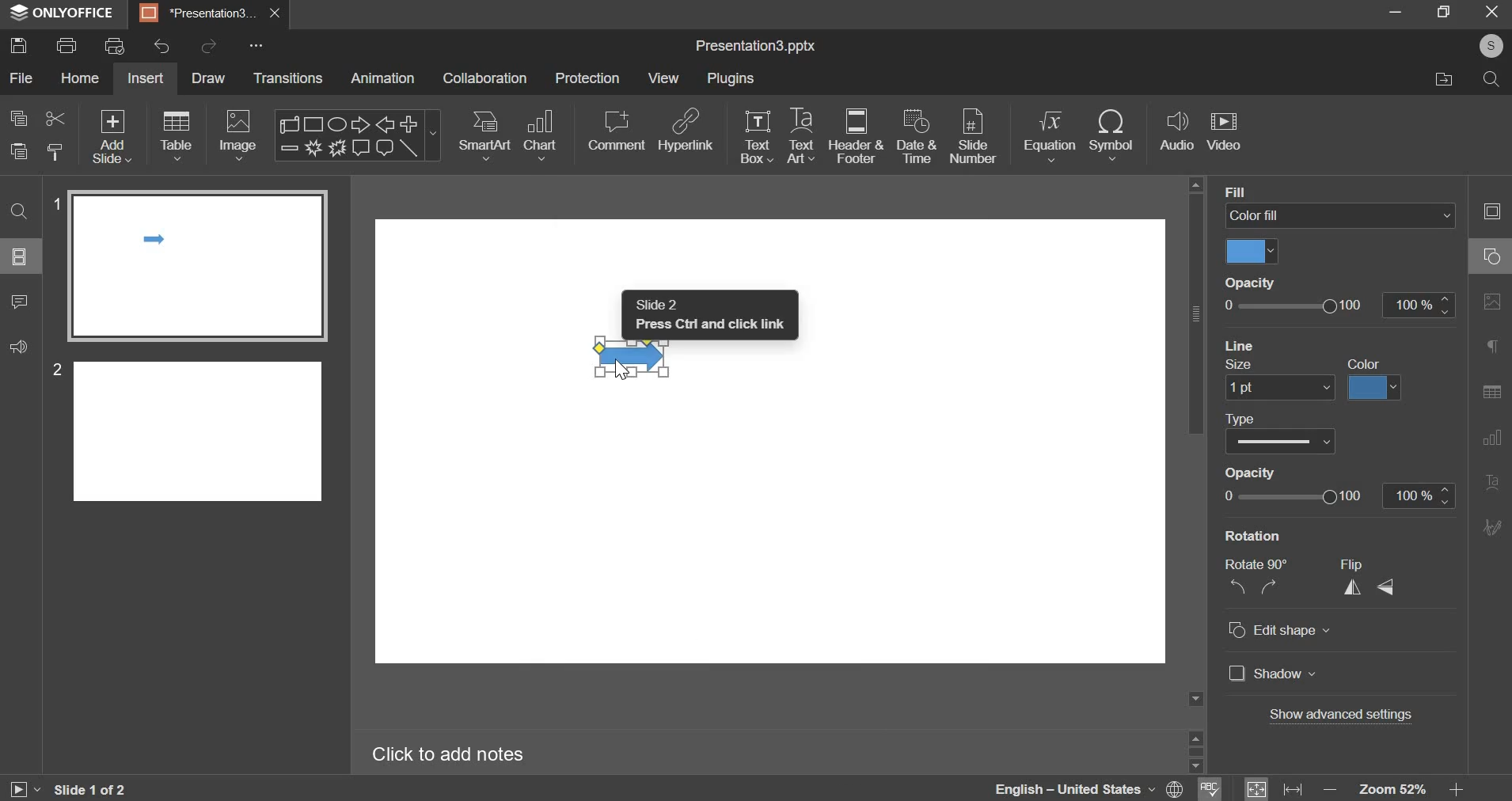 This screenshot has width=1512, height=801. What do you see at coordinates (616, 131) in the screenshot?
I see `comment` at bounding box center [616, 131].